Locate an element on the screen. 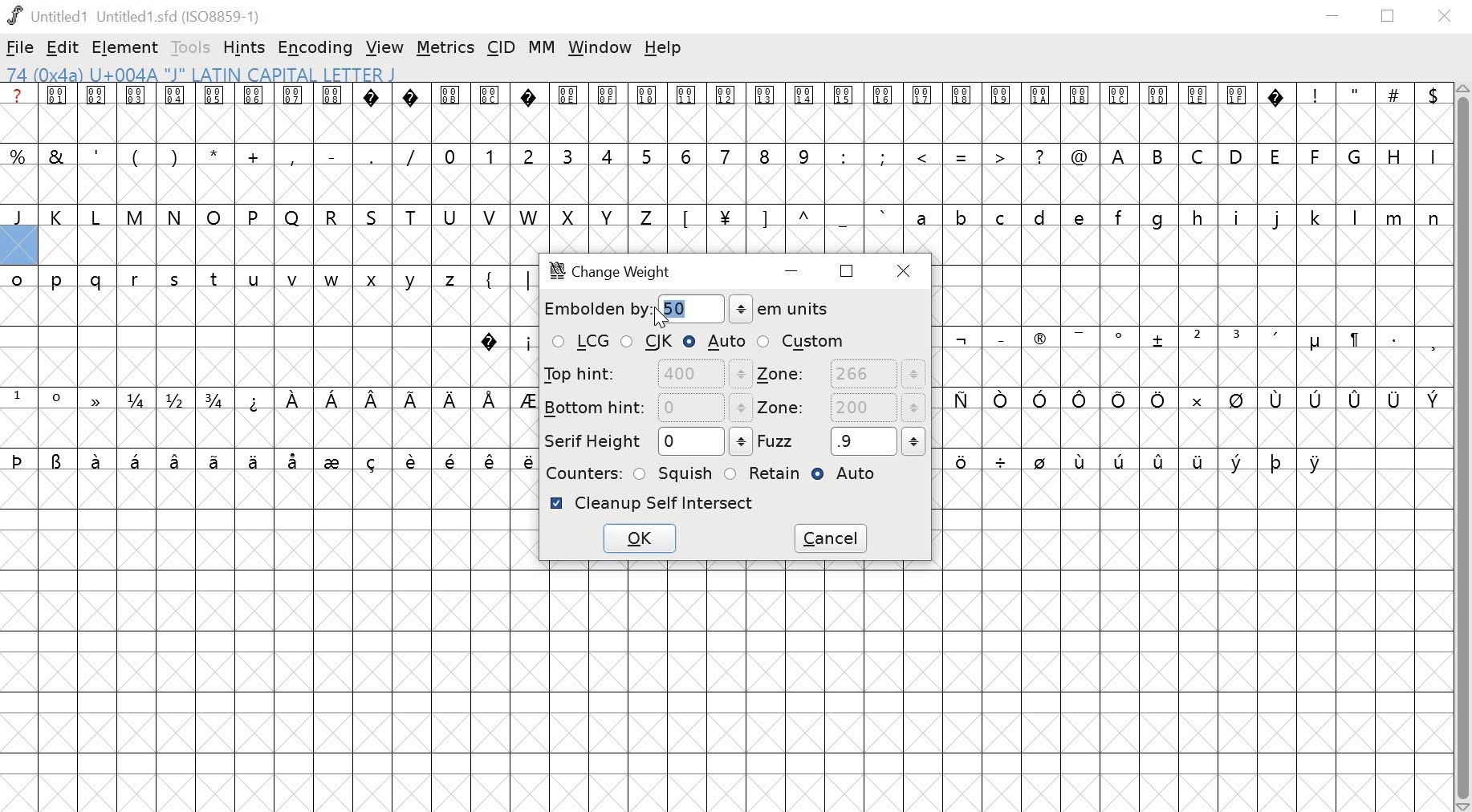 The width and height of the screenshot is (1472, 812). close is located at coordinates (907, 270).